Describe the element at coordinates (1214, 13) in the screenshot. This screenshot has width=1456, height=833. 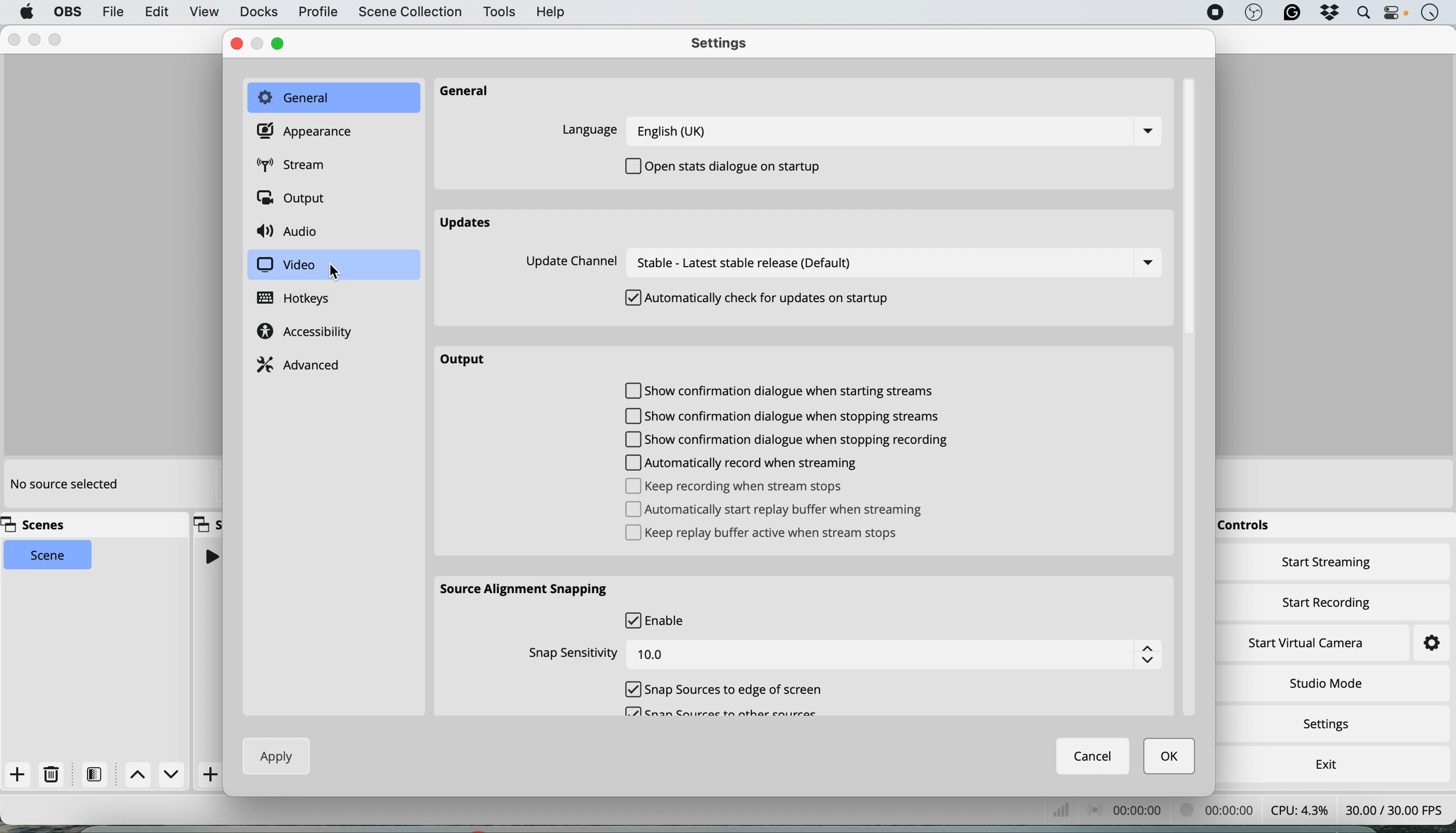
I see `screen recorder` at that location.